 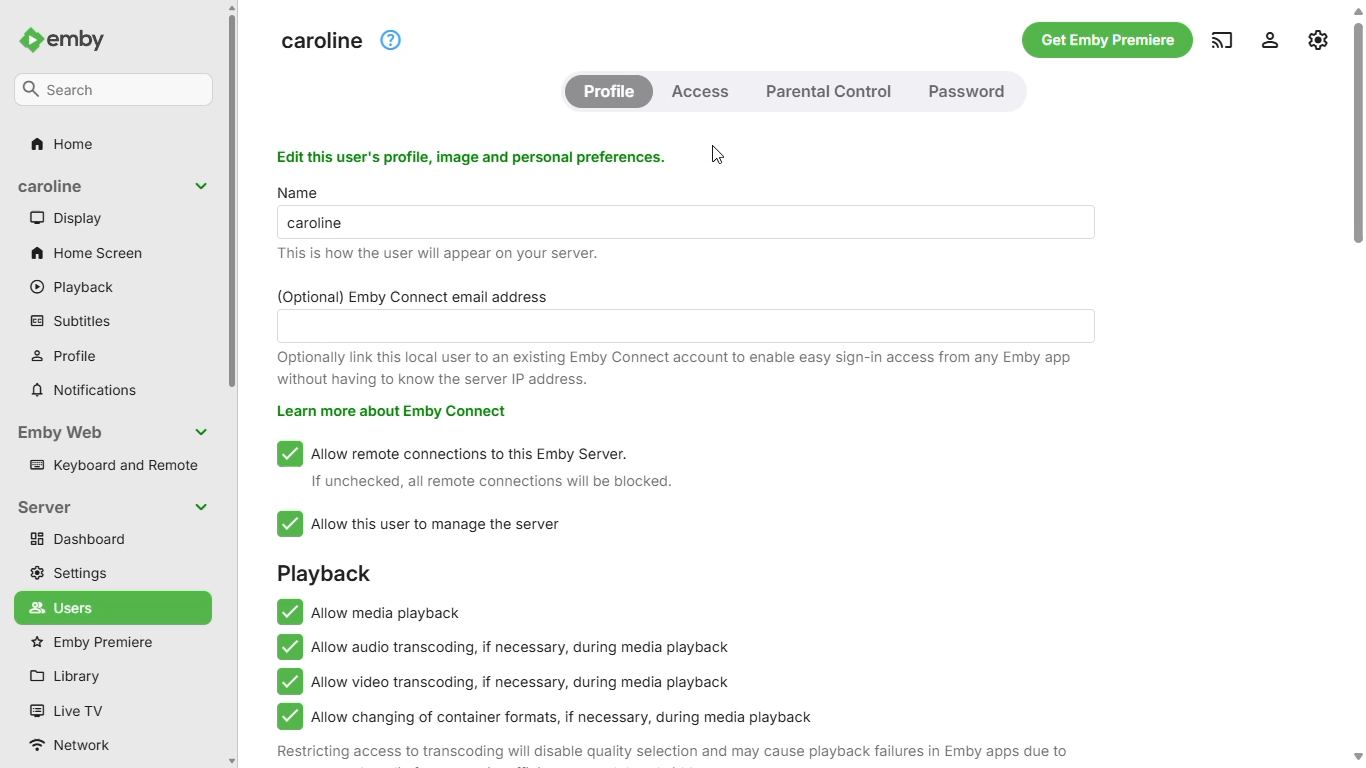 What do you see at coordinates (963, 92) in the screenshot?
I see `password` at bounding box center [963, 92].